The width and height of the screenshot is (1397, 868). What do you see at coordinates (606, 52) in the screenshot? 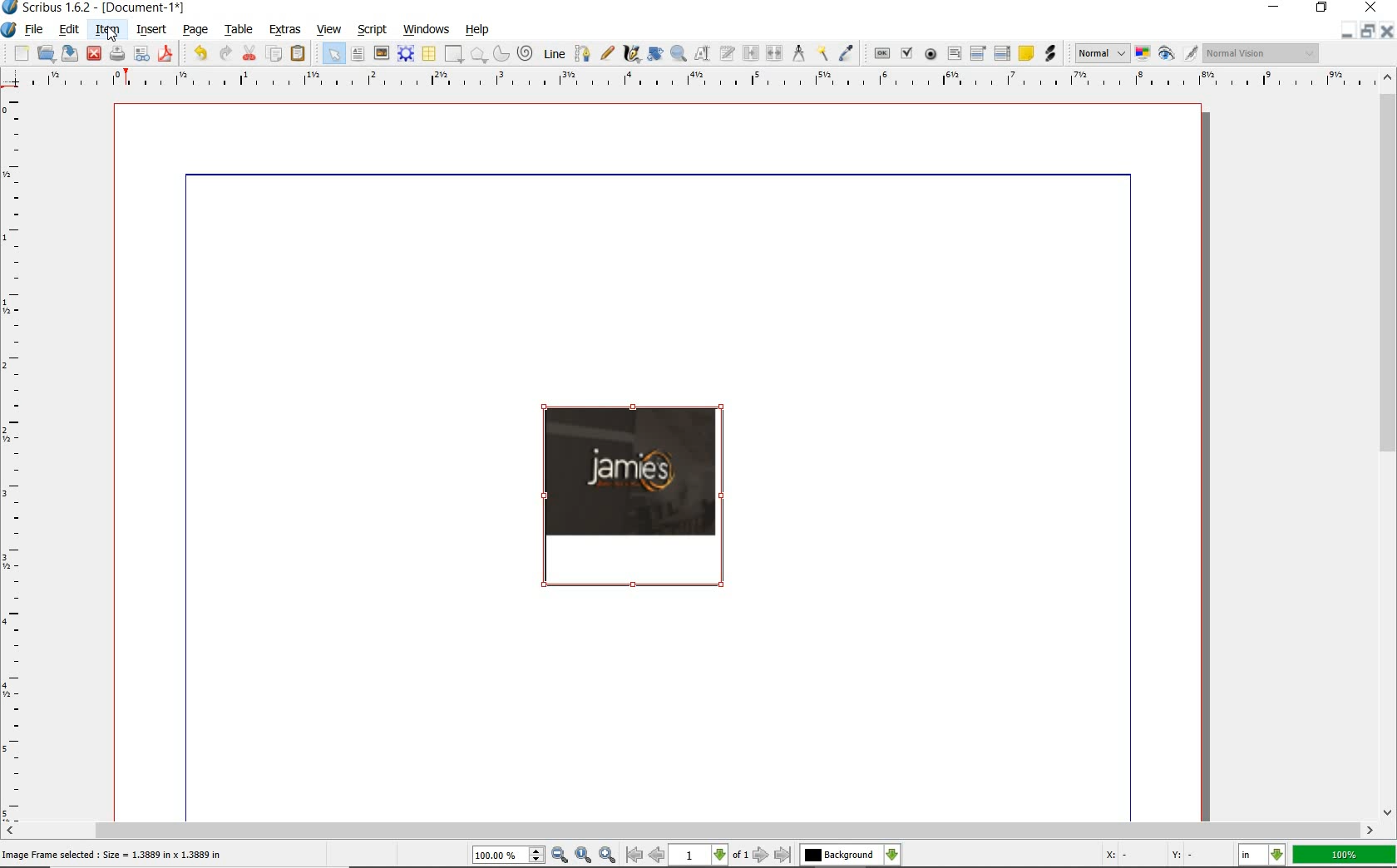
I see `freehand line` at bounding box center [606, 52].